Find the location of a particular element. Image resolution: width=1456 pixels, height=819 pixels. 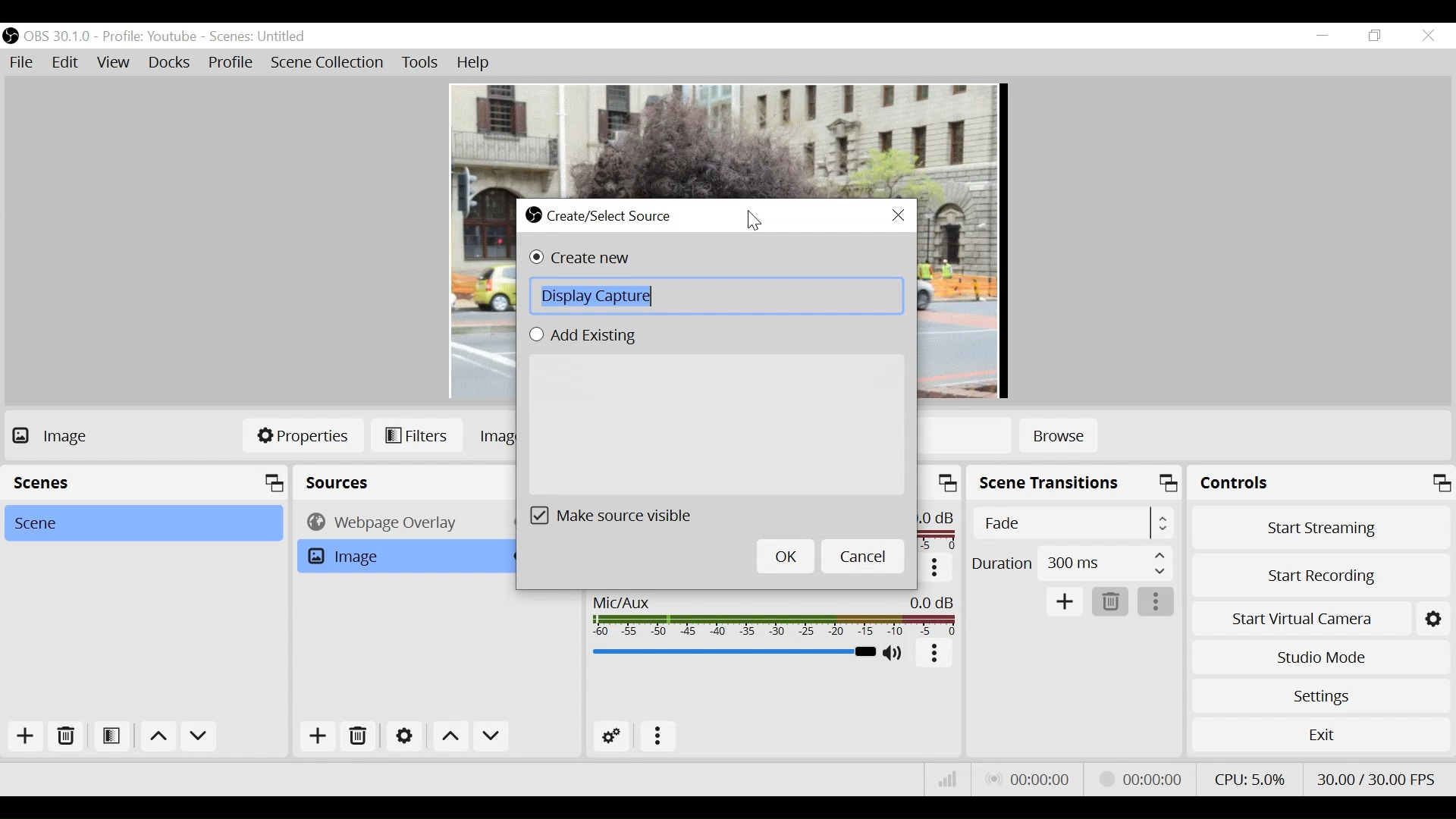

Cancel is located at coordinates (861, 557).